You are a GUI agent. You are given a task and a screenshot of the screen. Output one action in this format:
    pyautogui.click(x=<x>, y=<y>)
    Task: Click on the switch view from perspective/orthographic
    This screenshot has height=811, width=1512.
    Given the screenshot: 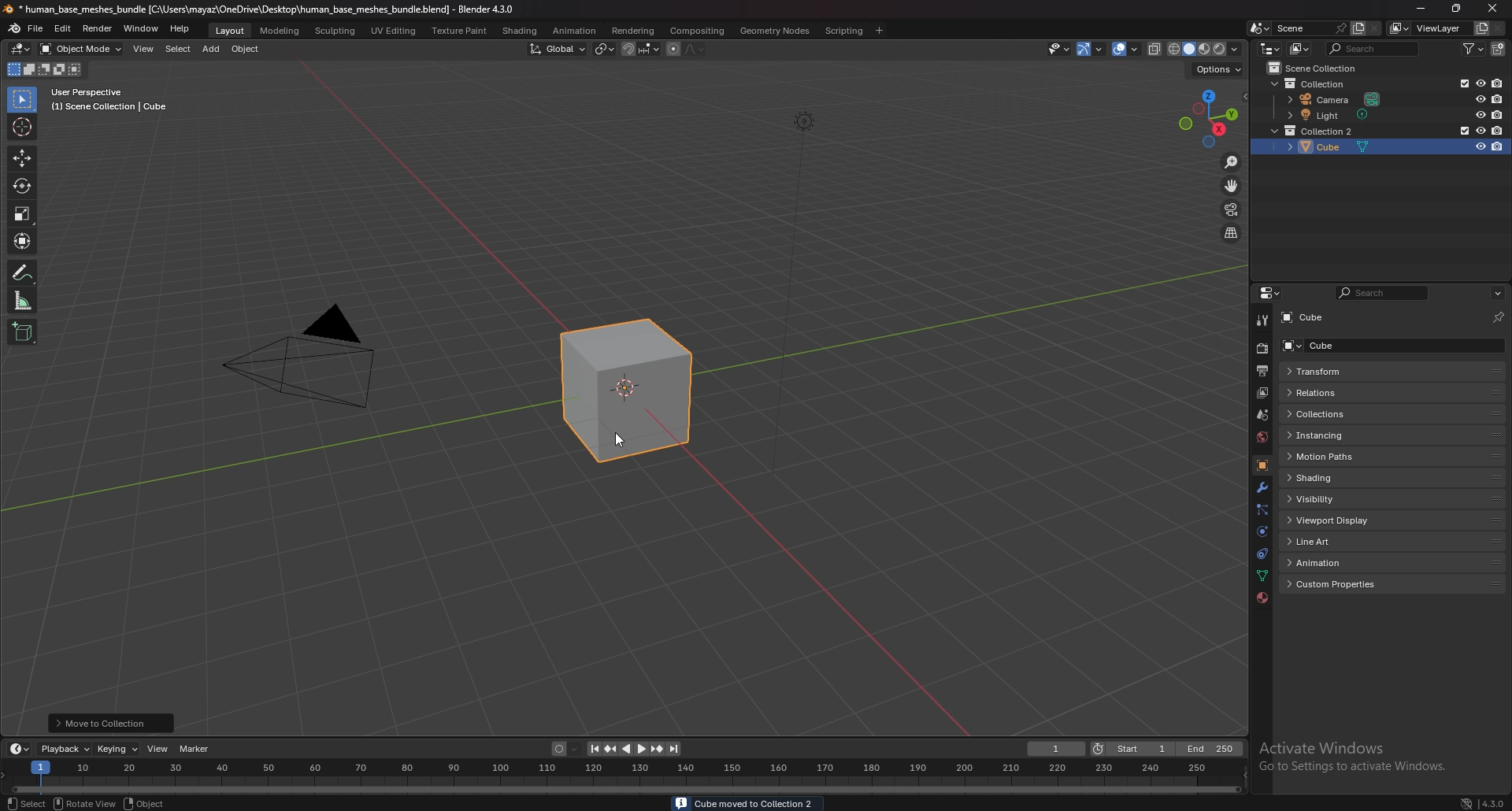 What is the action you would take?
    pyautogui.click(x=1231, y=234)
    